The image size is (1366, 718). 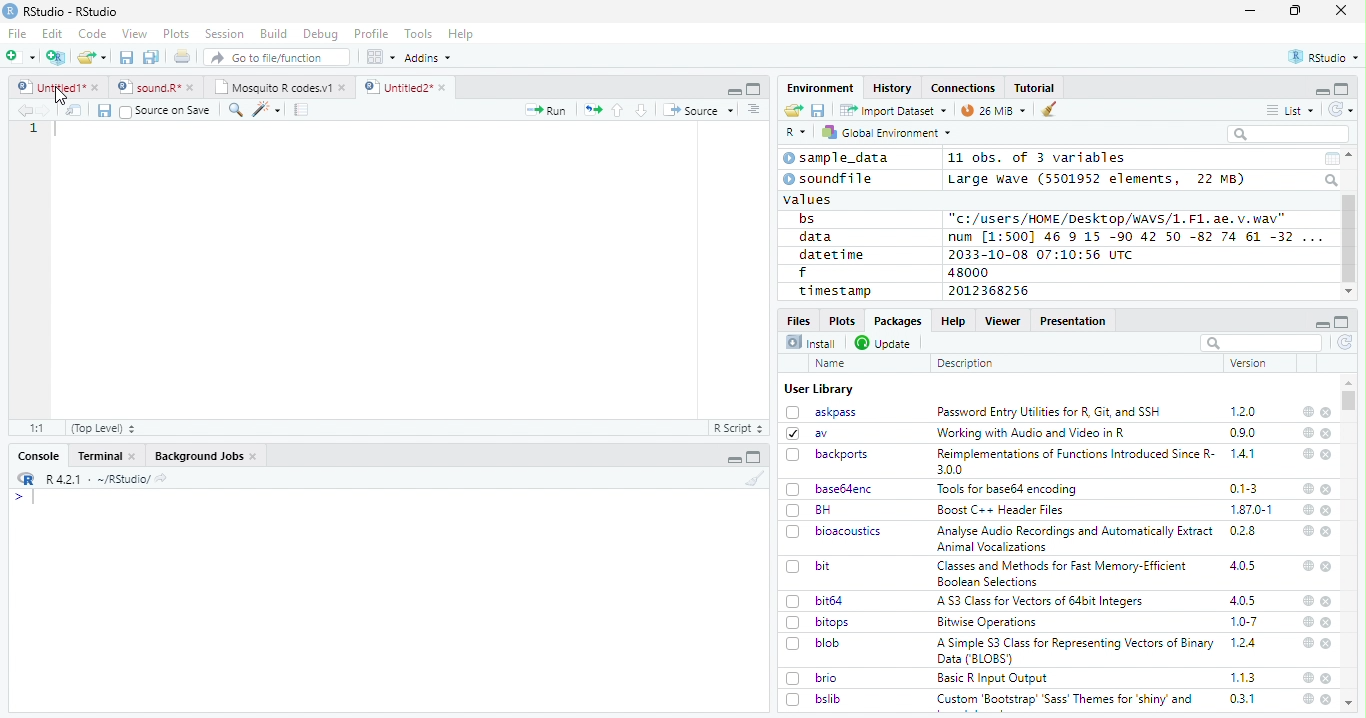 I want to click on Analyse Audio Recordings and Automatically ExtractAnimal Vocalizations, so click(x=1071, y=538).